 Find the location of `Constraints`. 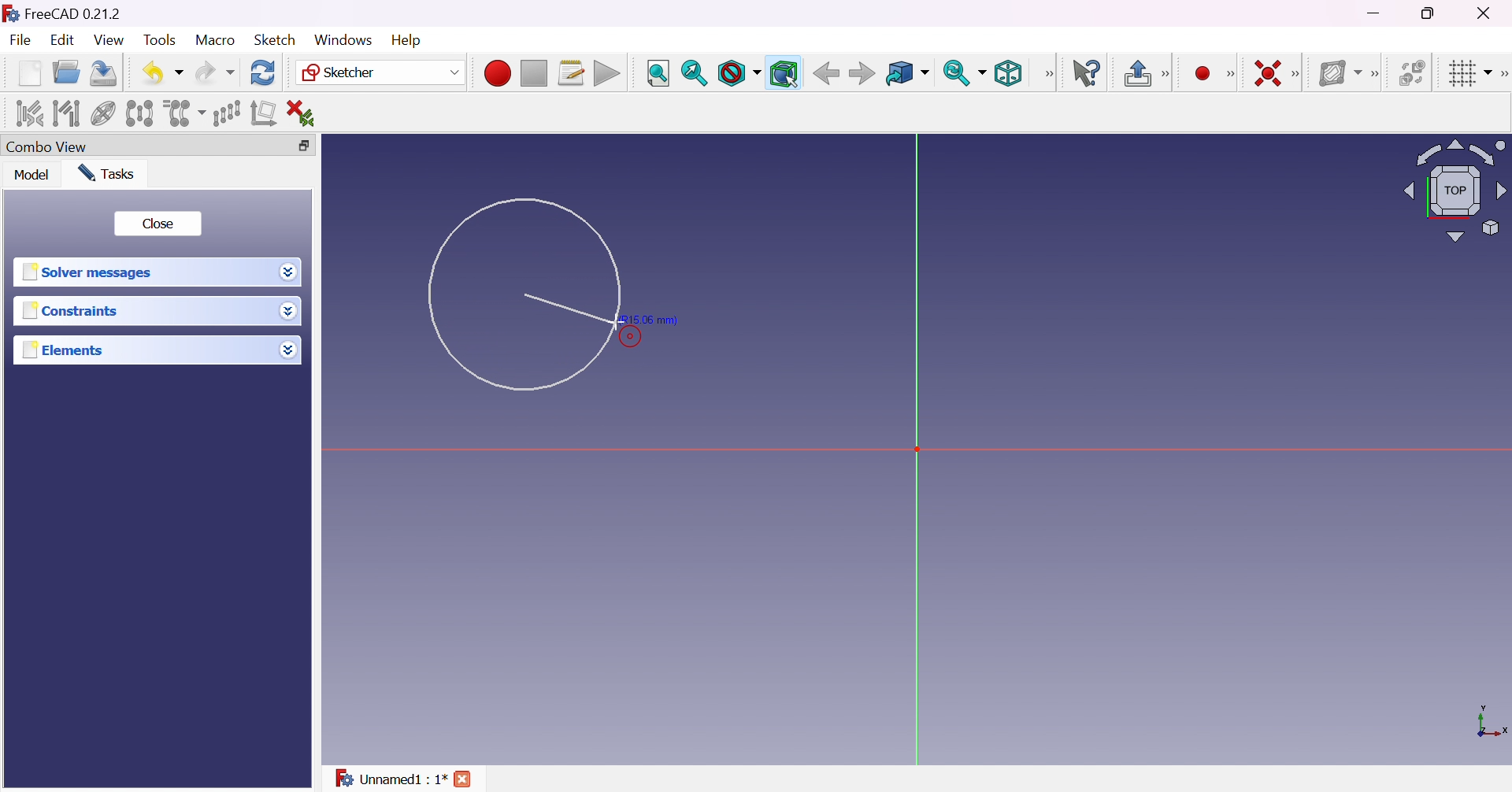

Constraints is located at coordinates (71, 312).